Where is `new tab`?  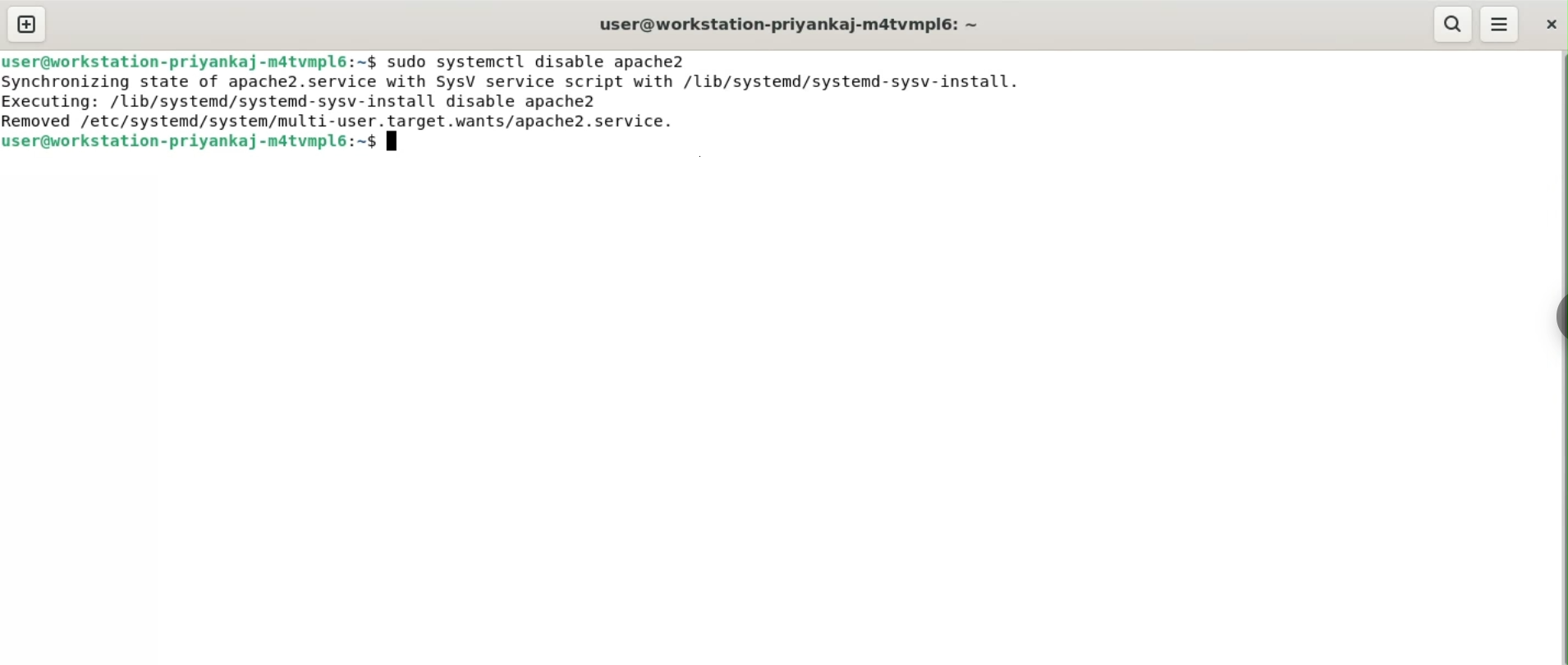 new tab is located at coordinates (28, 23).